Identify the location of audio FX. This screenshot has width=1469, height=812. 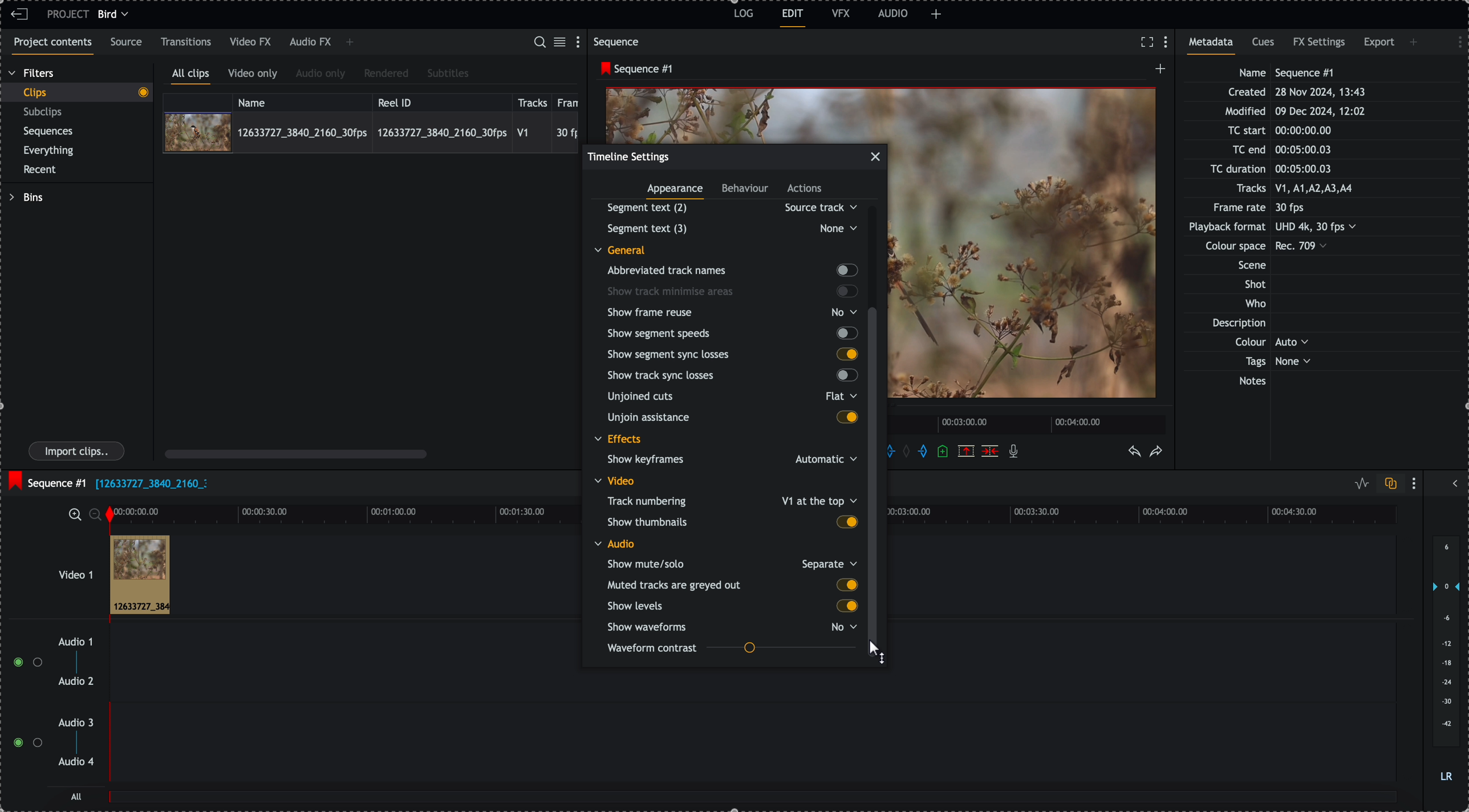
(310, 43).